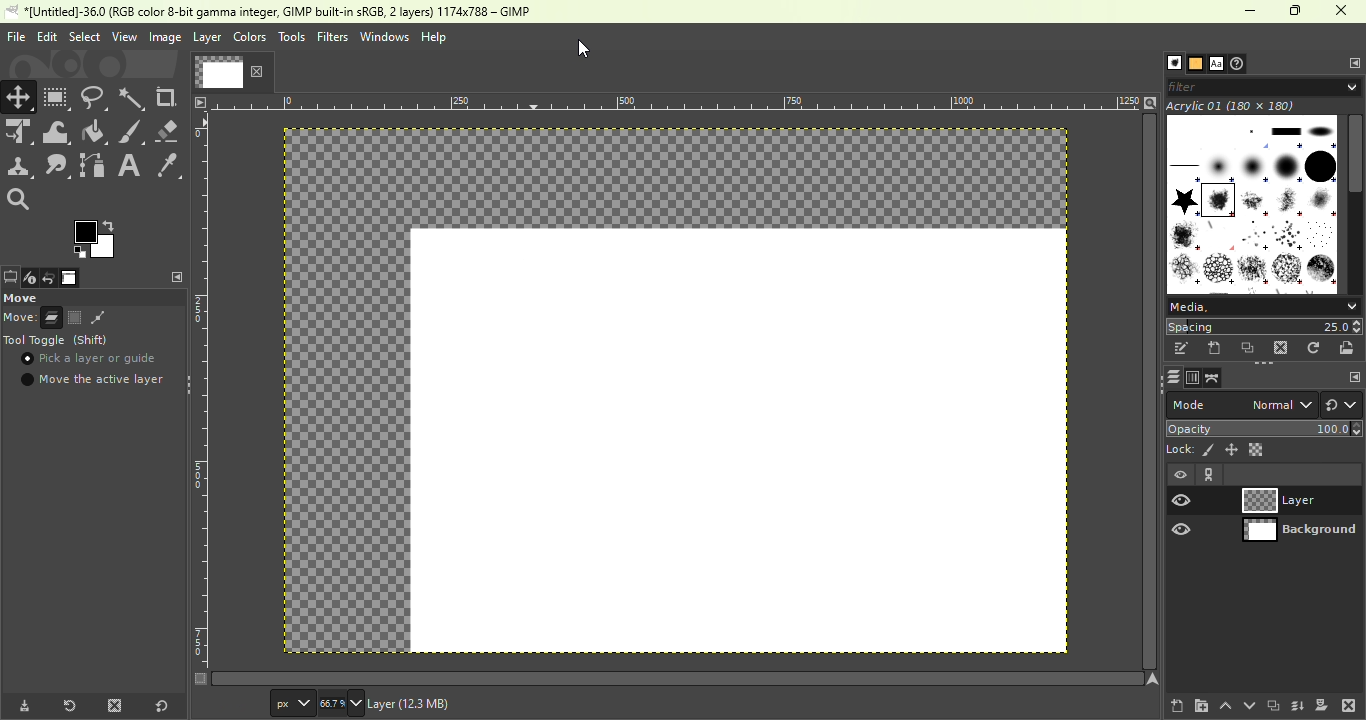  I want to click on Enter image size, so click(342, 703).